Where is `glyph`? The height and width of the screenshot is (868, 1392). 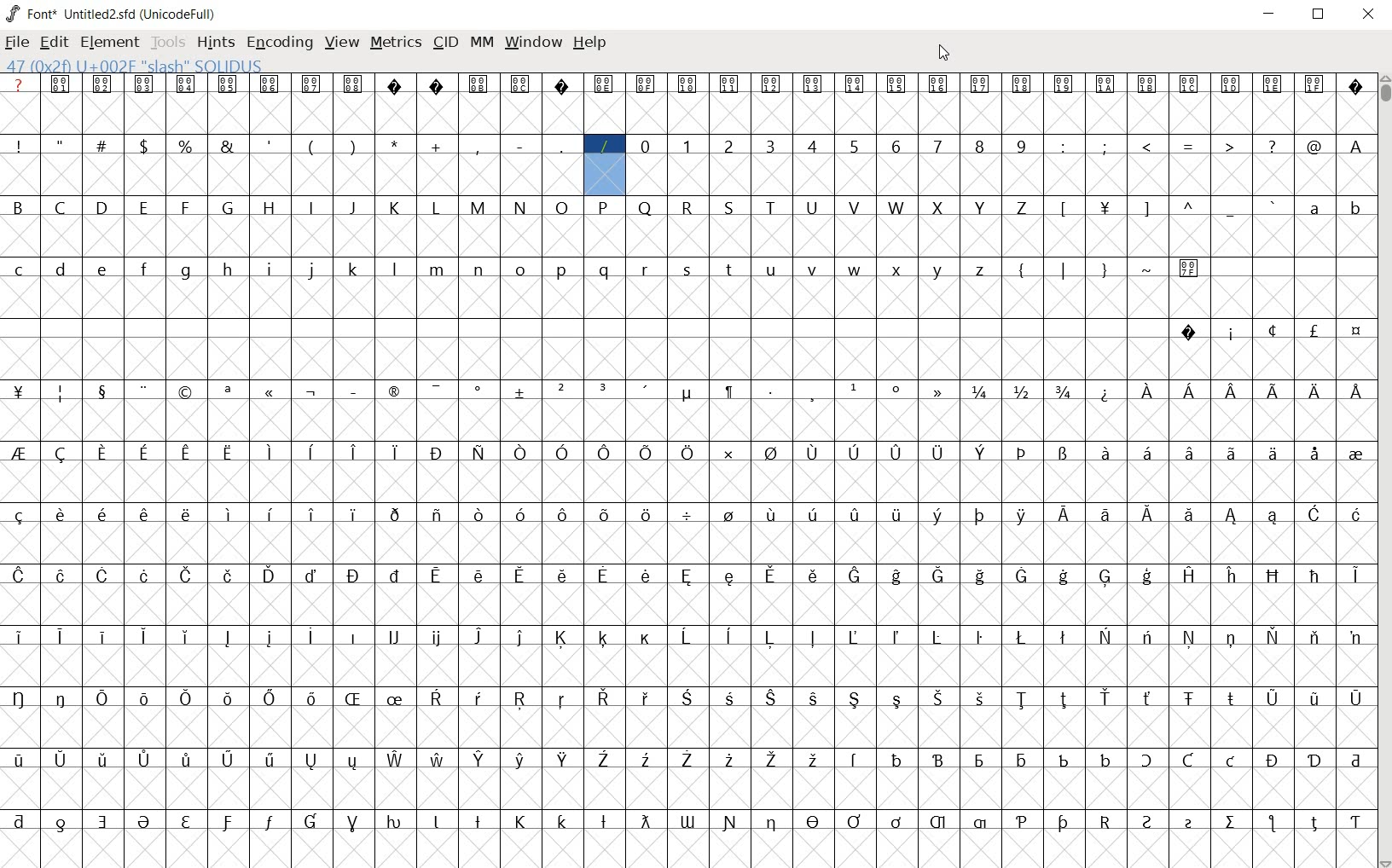
glyph is located at coordinates (438, 270).